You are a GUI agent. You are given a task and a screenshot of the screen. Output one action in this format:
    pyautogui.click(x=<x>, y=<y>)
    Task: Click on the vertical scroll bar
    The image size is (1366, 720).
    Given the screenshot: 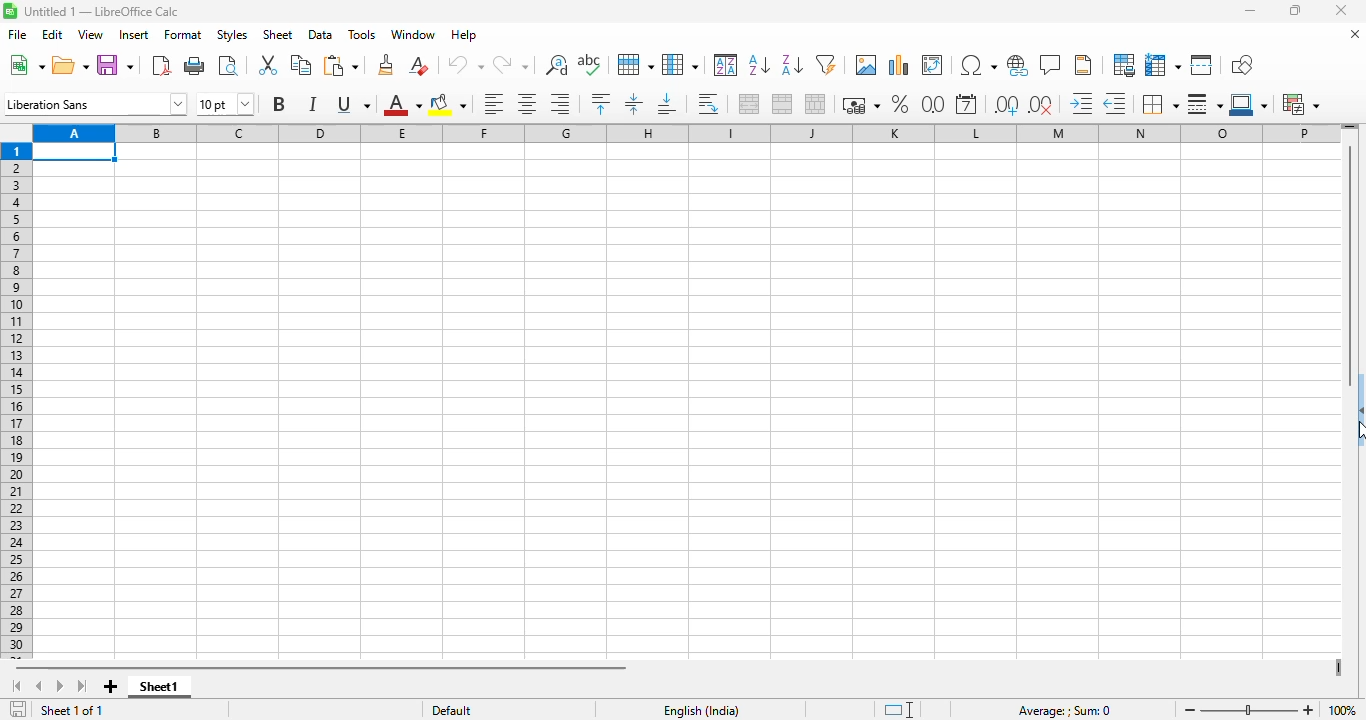 What is the action you would take?
    pyautogui.click(x=1349, y=266)
    